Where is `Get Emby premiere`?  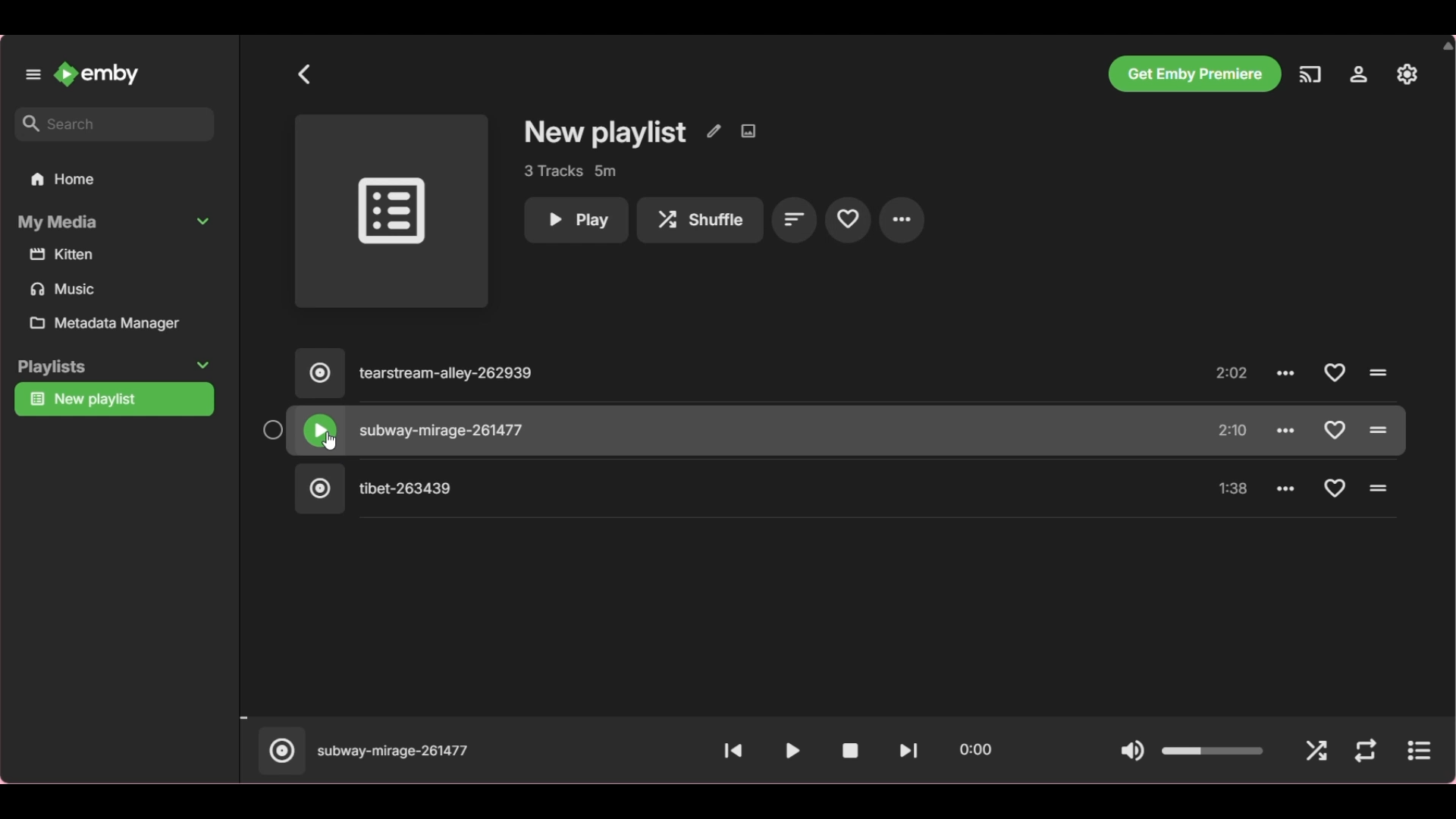 Get Emby premiere is located at coordinates (1194, 74).